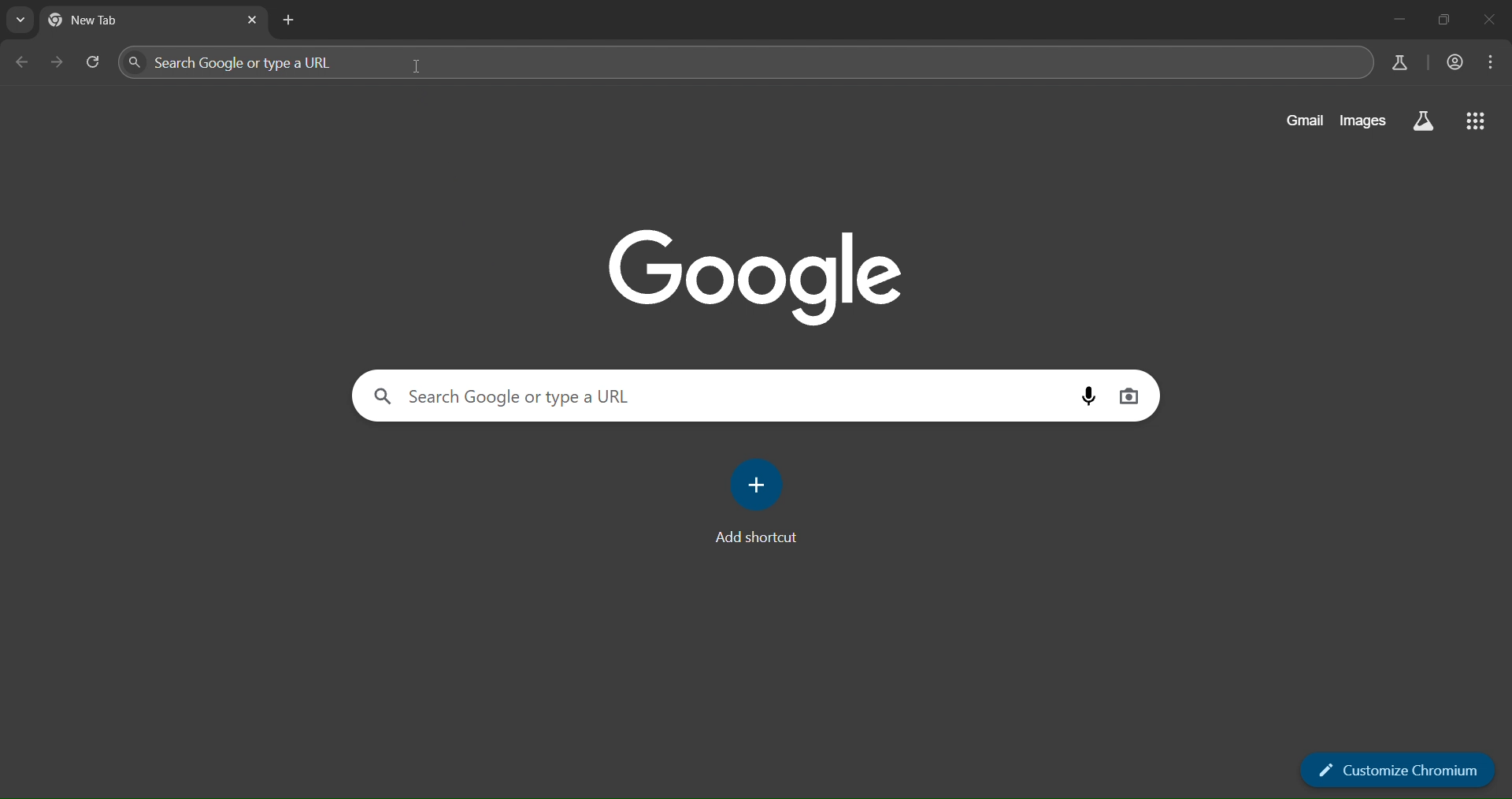 The image size is (1512, 799). What do you see at coordinates (1306, 119) in the screenshot?
I see `gmail` at bounding box center [1306, 119].